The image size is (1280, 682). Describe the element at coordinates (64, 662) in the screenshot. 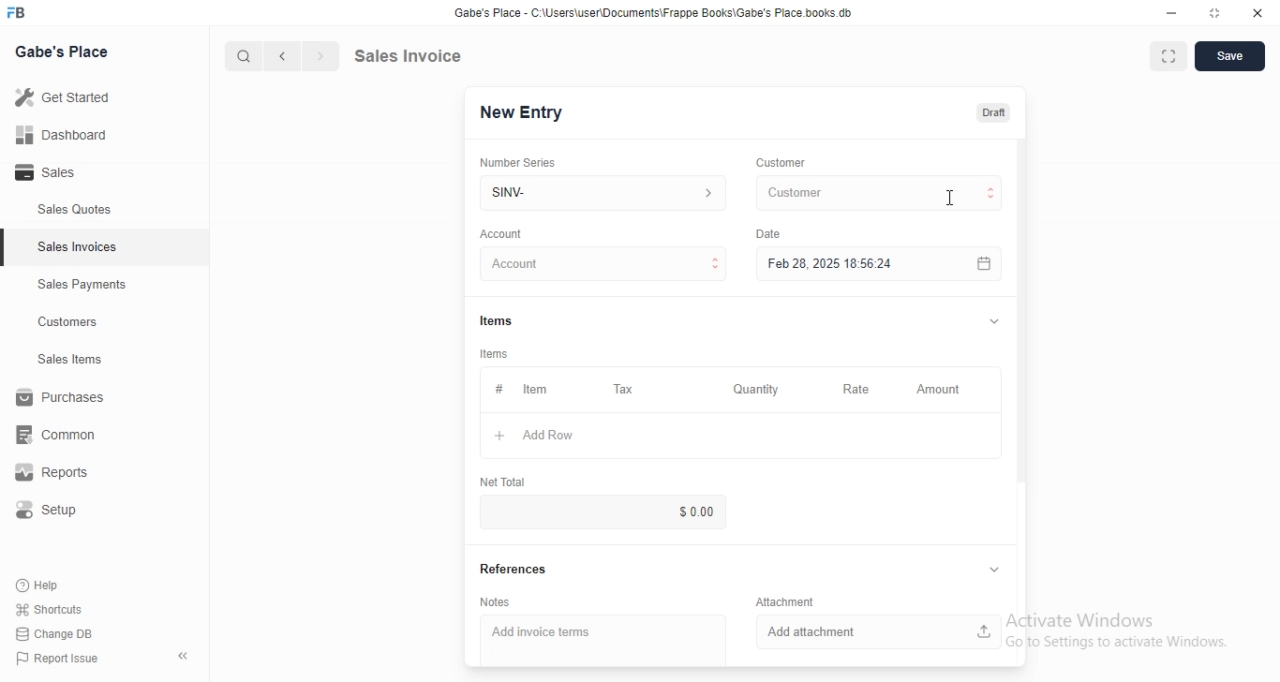

I see `PP Report Issue.` at that location.